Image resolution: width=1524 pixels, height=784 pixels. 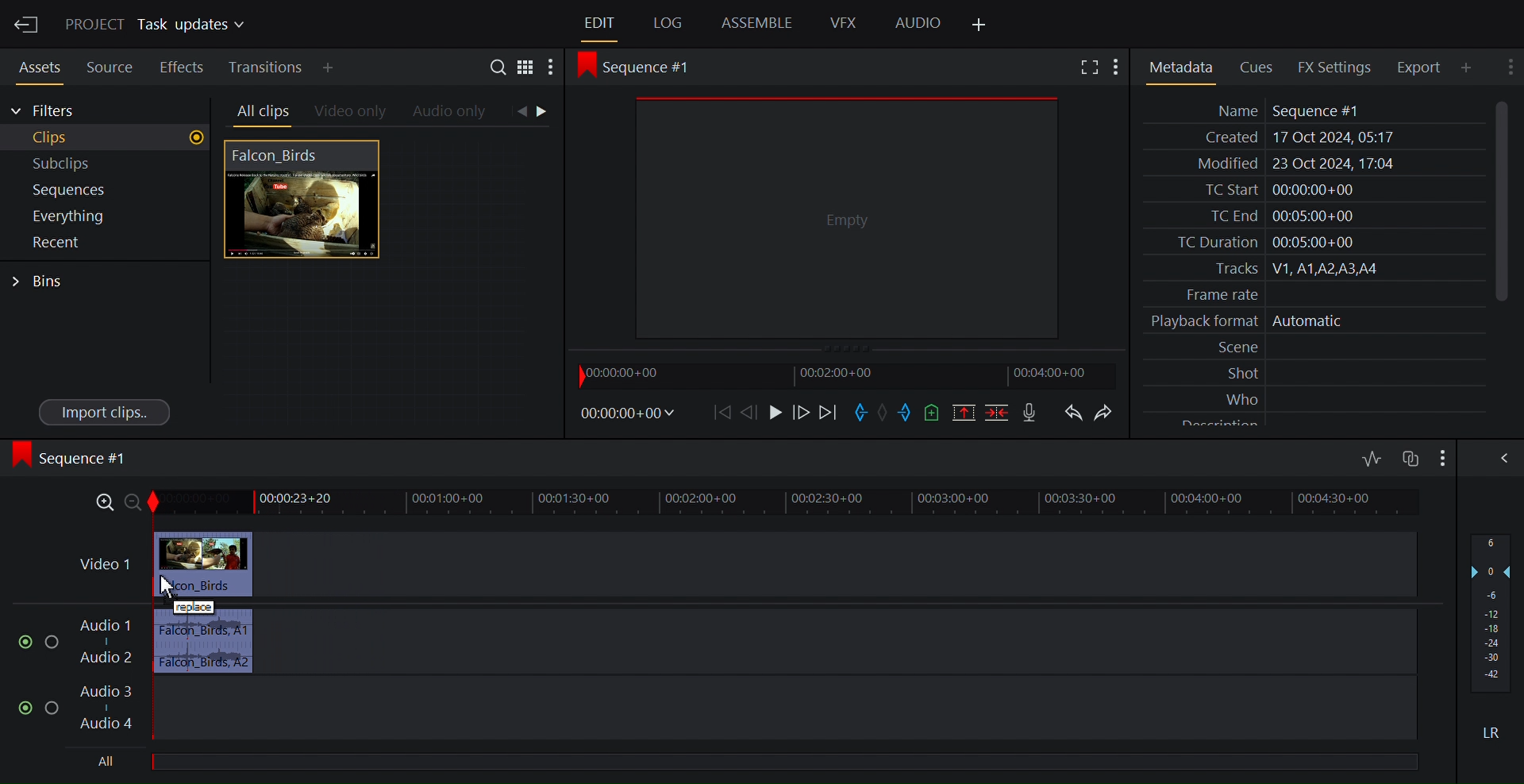 I want to click on Subclips, so click(x=106, y=164).